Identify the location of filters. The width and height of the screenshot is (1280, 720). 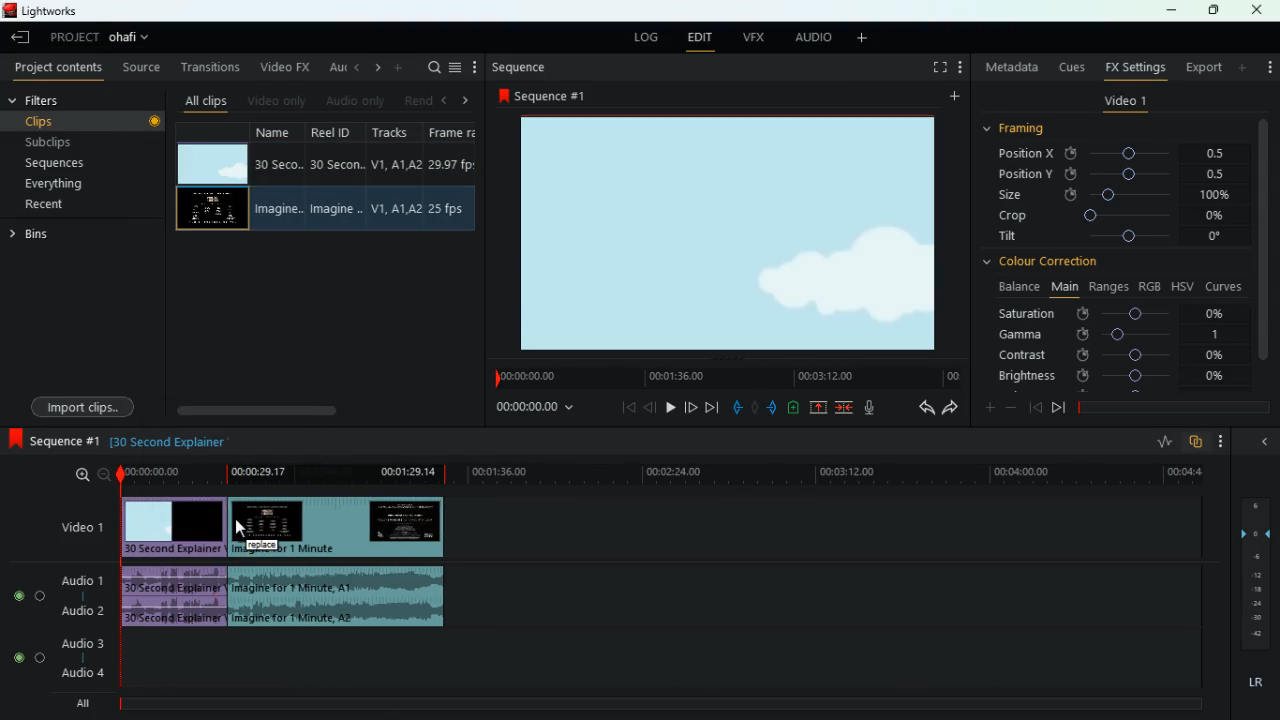
(50, 101).